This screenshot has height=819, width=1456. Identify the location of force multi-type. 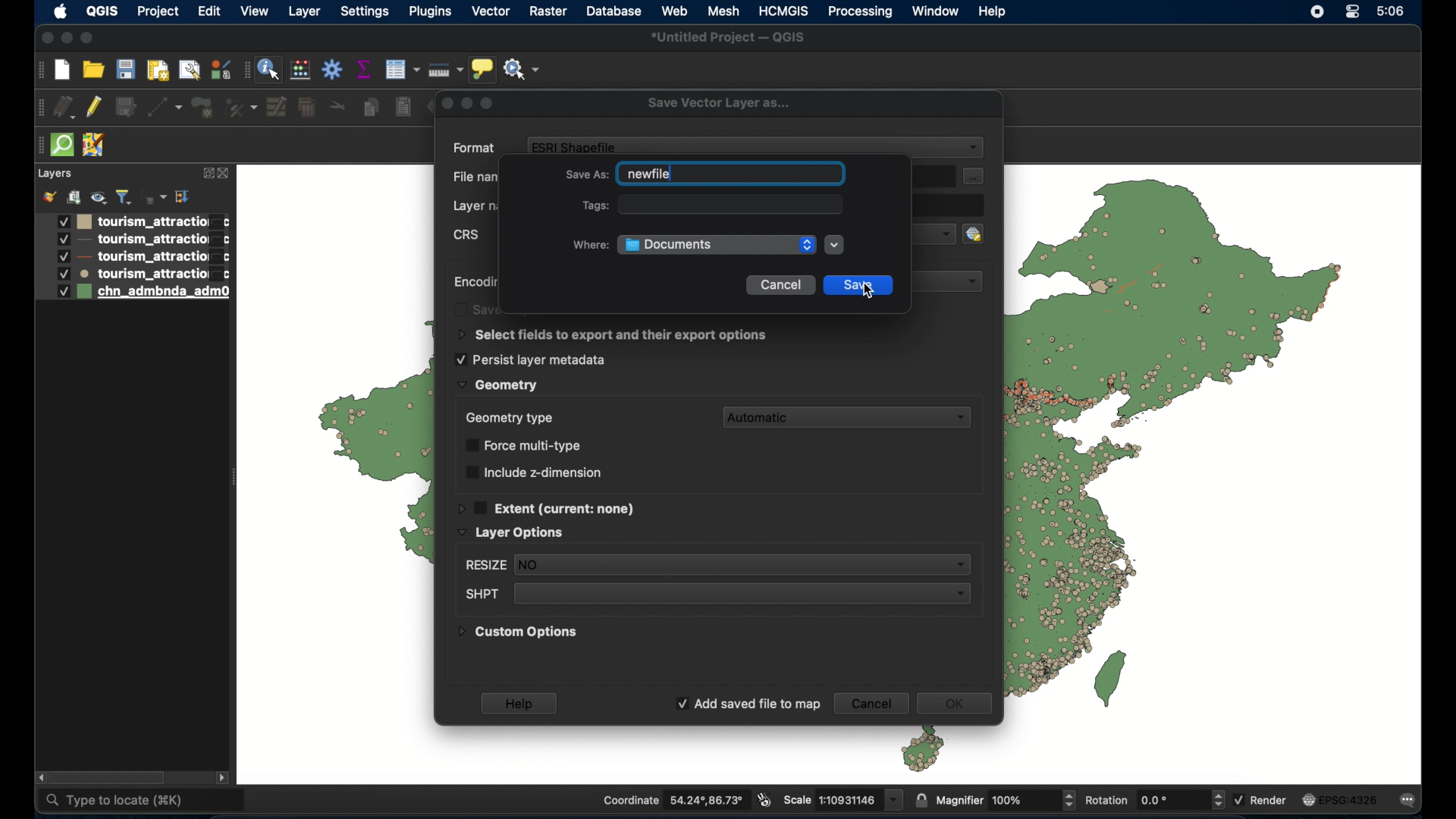
(527, 445).